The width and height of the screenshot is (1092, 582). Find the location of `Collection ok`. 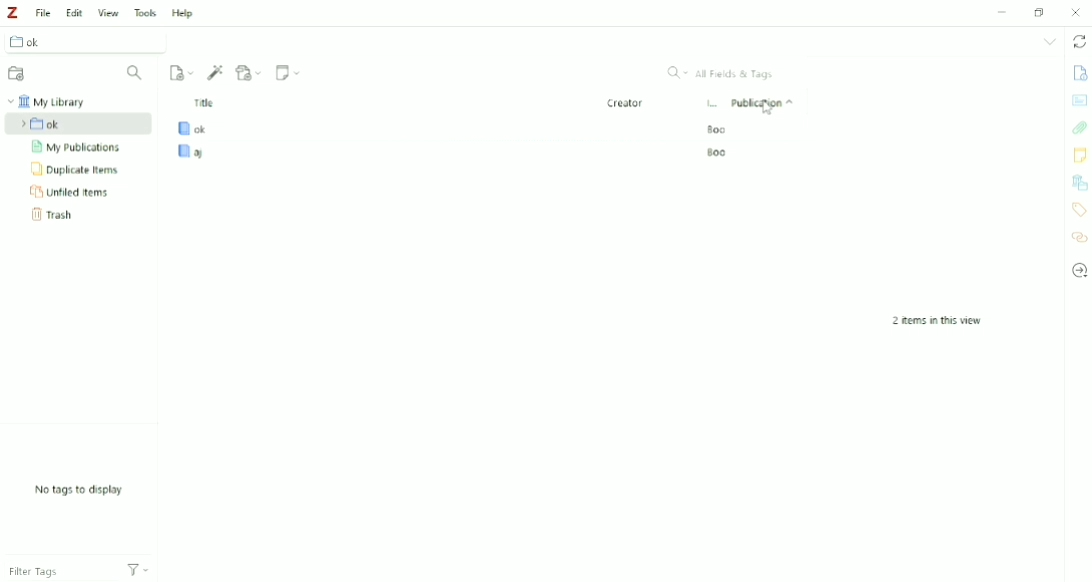

Collection ok is located at coordinates (92, 42).